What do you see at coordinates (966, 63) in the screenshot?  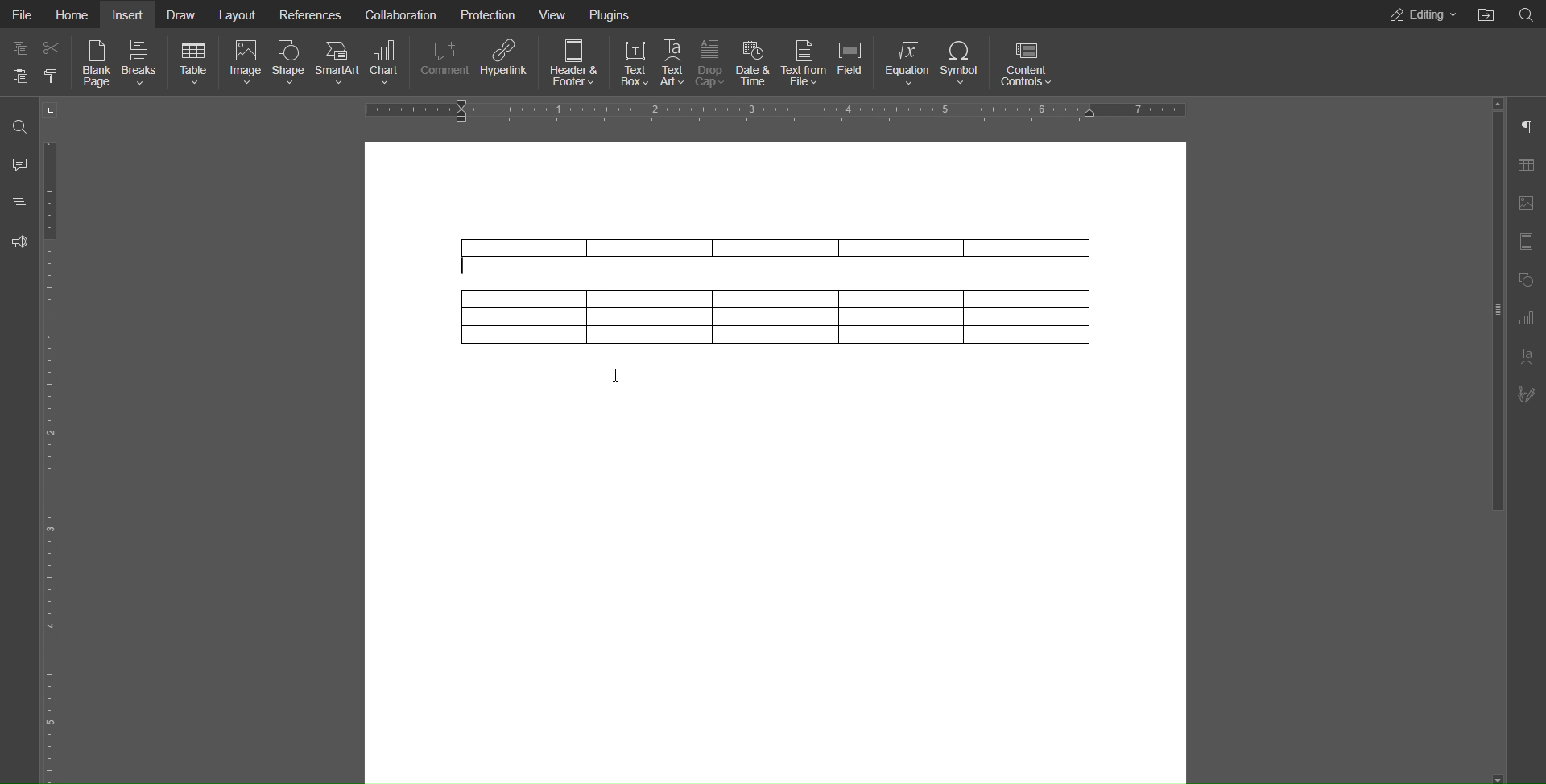 I see `Symbol` at bounding box center [966, 63].